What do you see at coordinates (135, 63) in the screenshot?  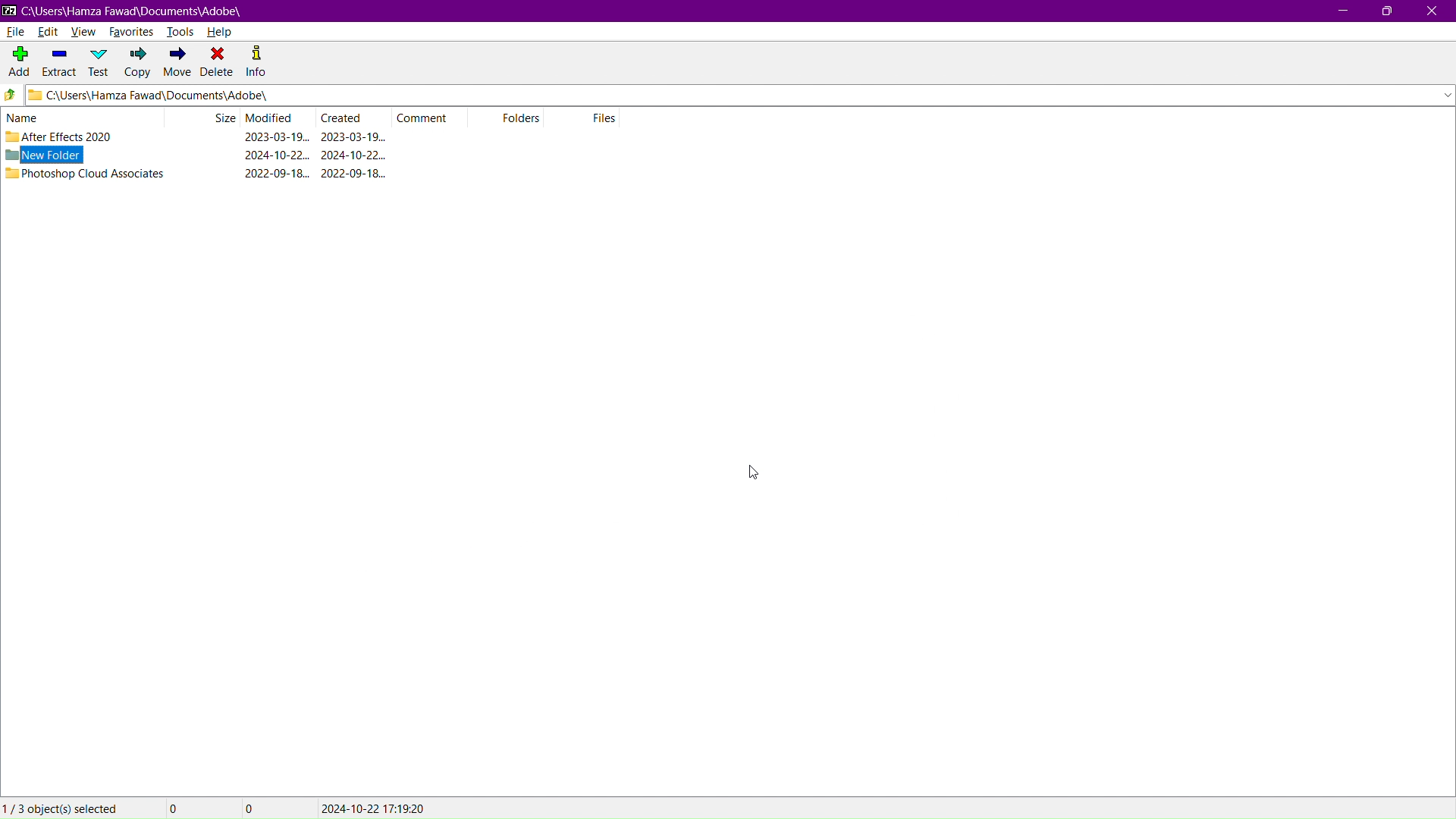 I see `Copy` at bounding box center [135, 63].